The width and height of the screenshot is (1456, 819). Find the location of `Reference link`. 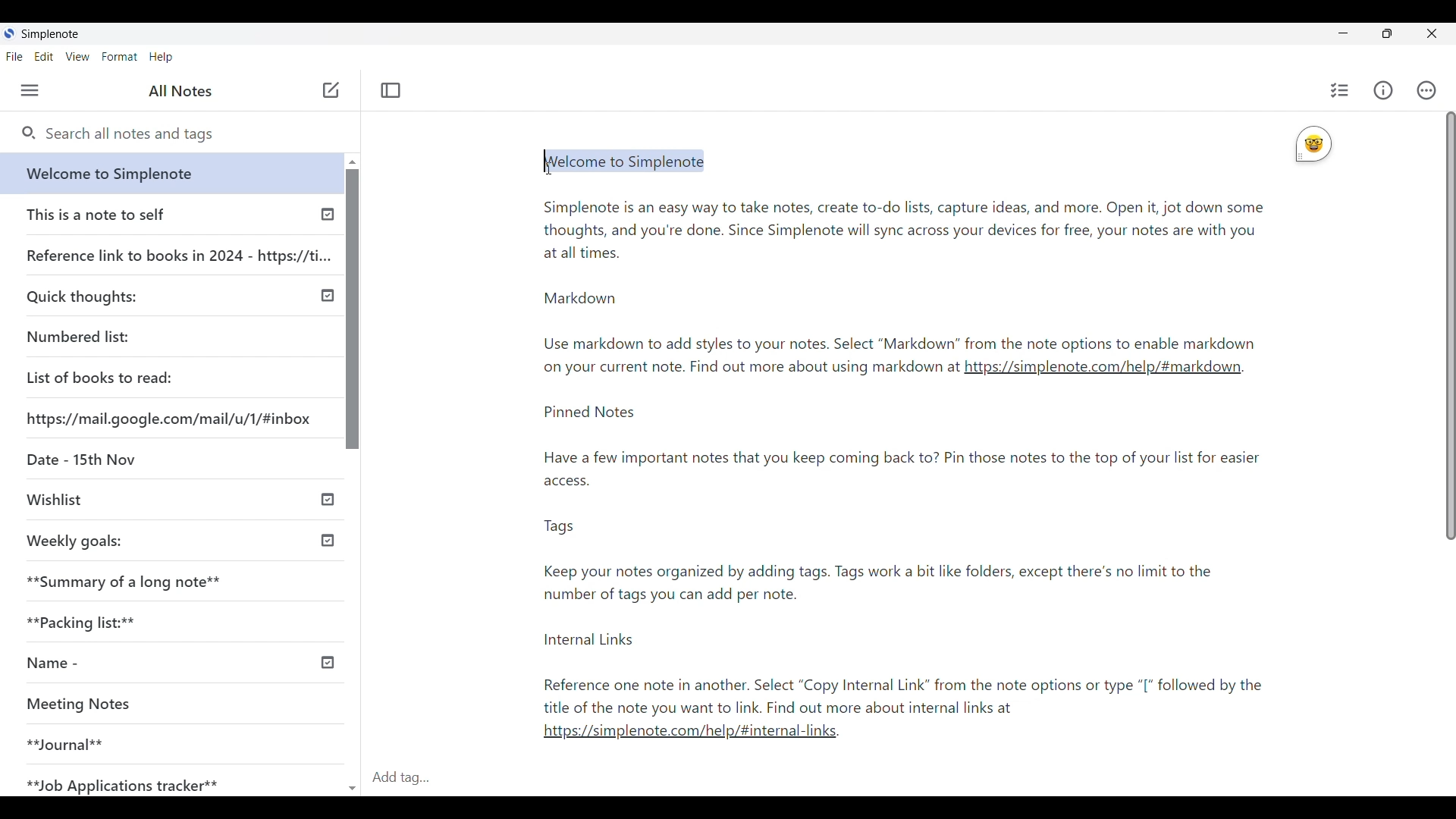

Reference link is located at coordinates (179, 253).